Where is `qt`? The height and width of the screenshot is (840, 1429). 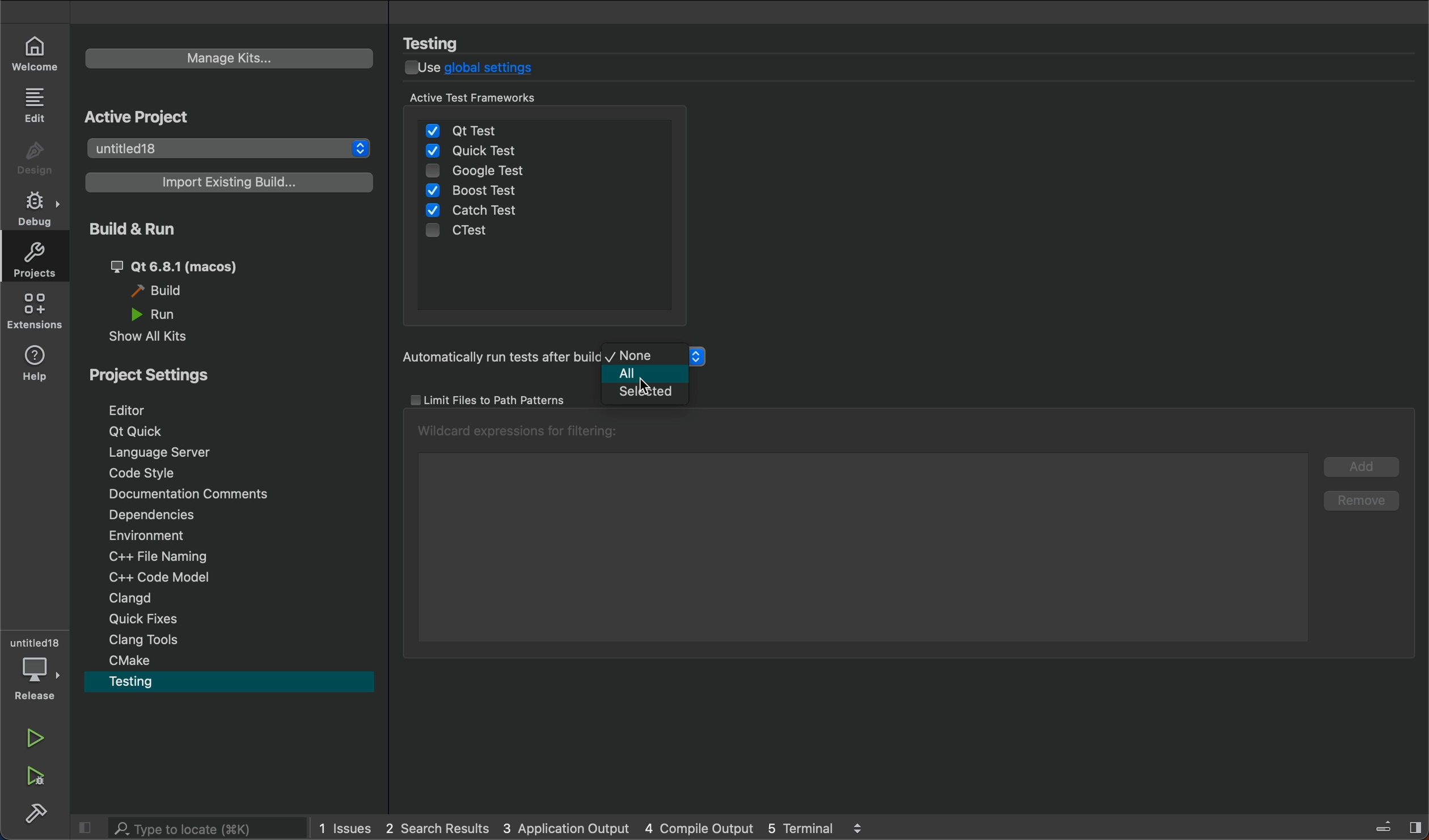
qt is located at coordinates (185, 267).